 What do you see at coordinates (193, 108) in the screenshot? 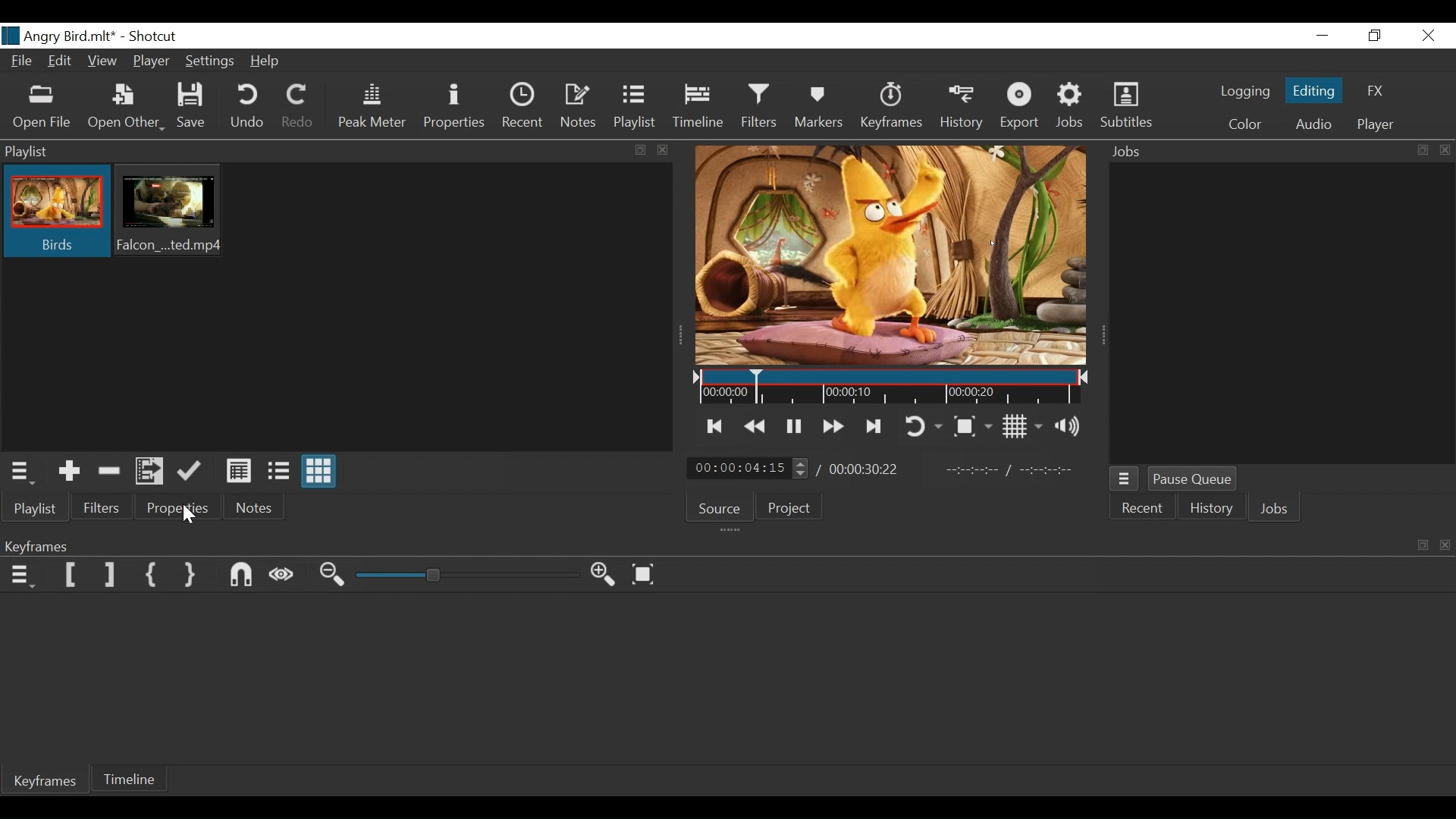
I see `Save` at bounding box center [193, 108].